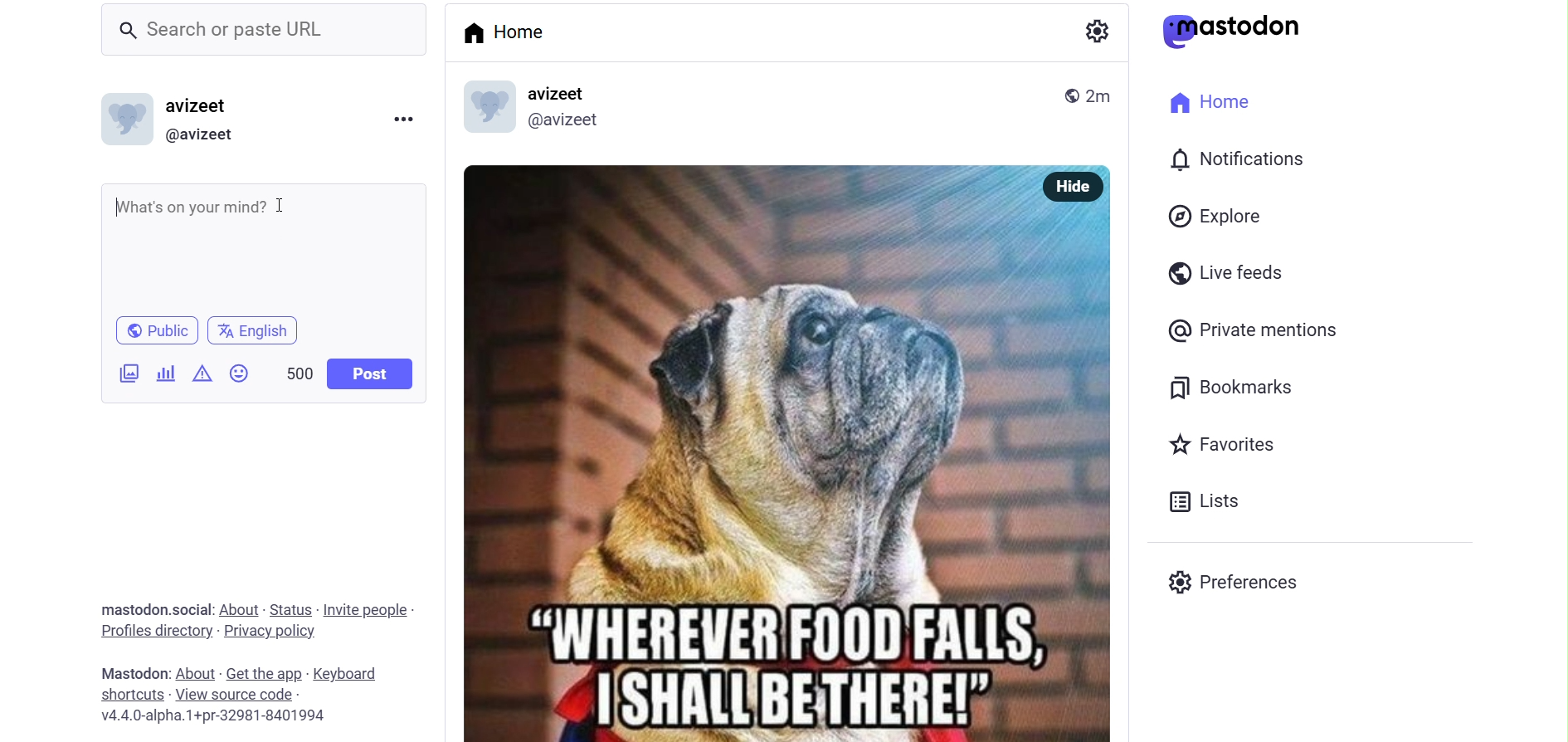 Image resolution: width=1568 pixels, height=742 pixels. I want to click on Whats on your mind, so click(265, 244).